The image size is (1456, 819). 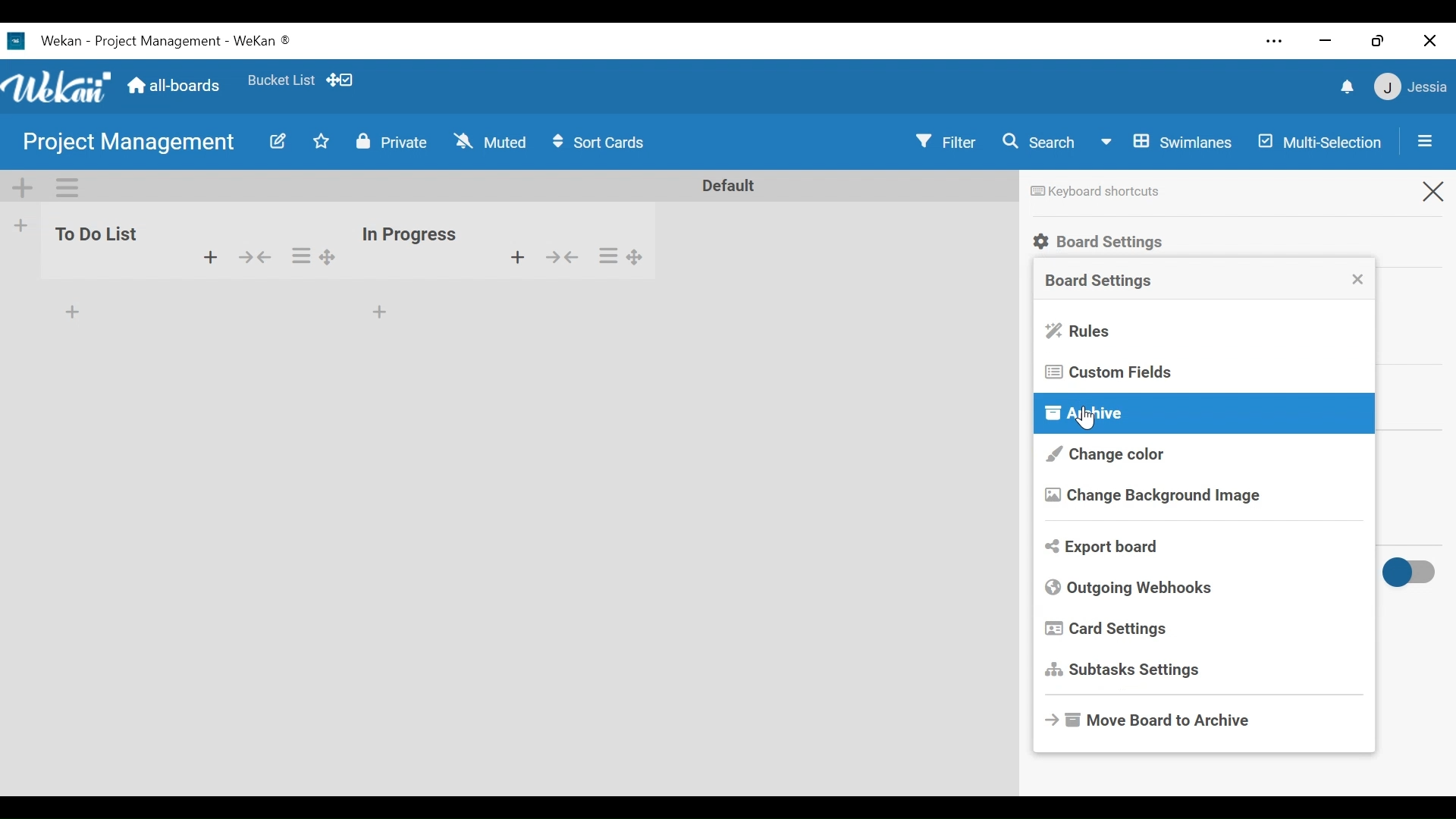 What do you see at coordinates (1395, 564) in the screenshot?
I see `toggle` at bounding box center [1395, 564].